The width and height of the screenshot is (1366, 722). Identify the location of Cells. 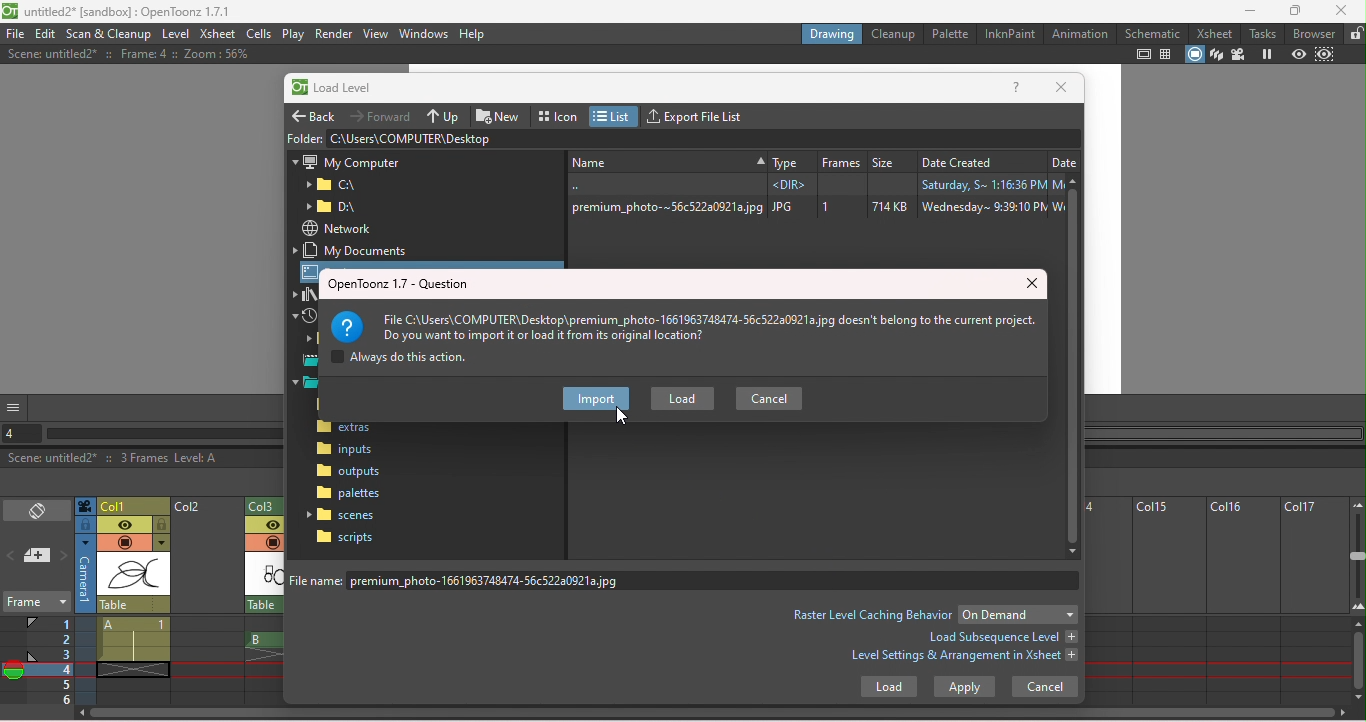
(258, 33).